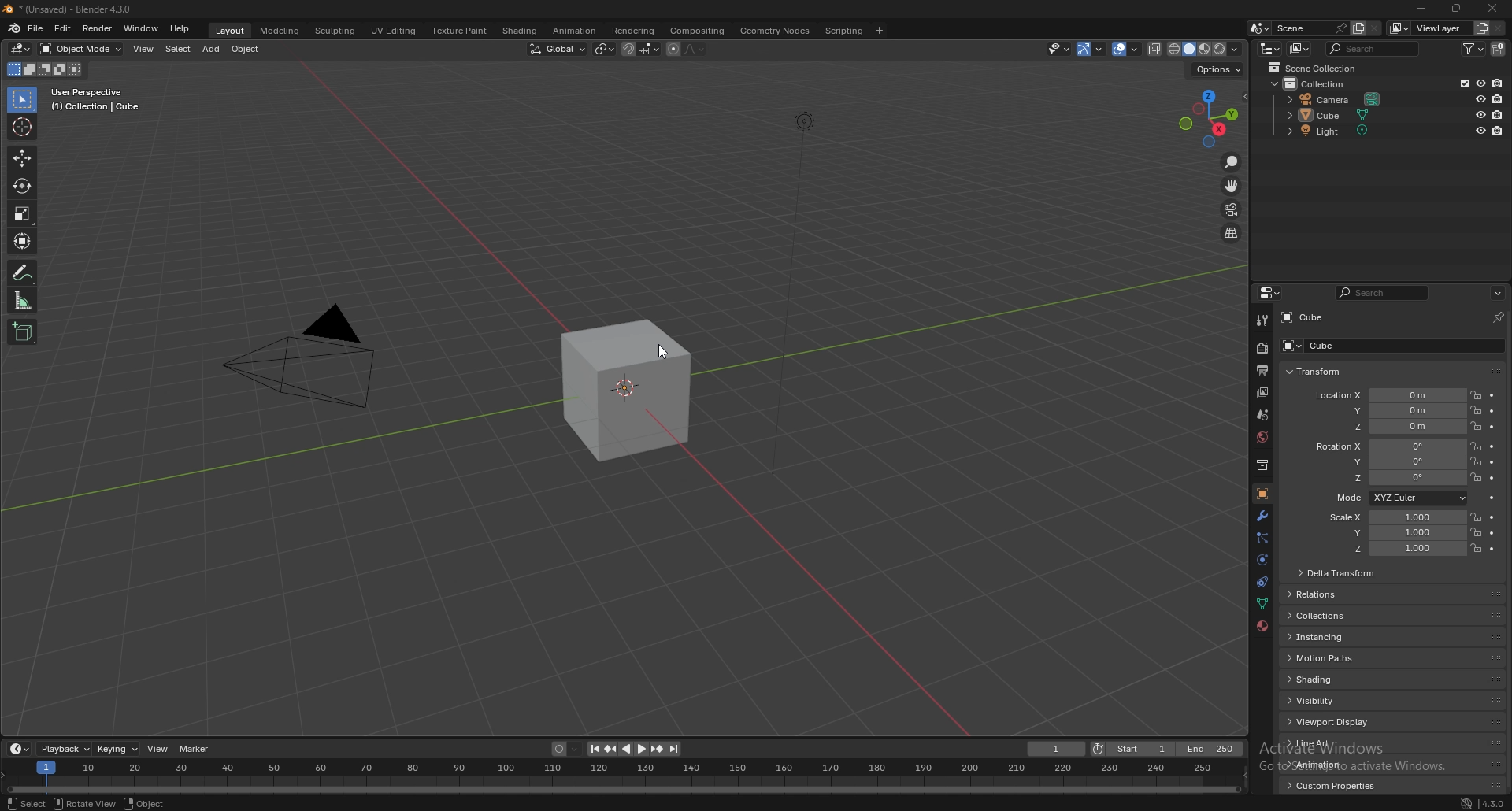  Describe the element at coordinates (1497, 98) in the screenshot. I see `disable in render` at that location.